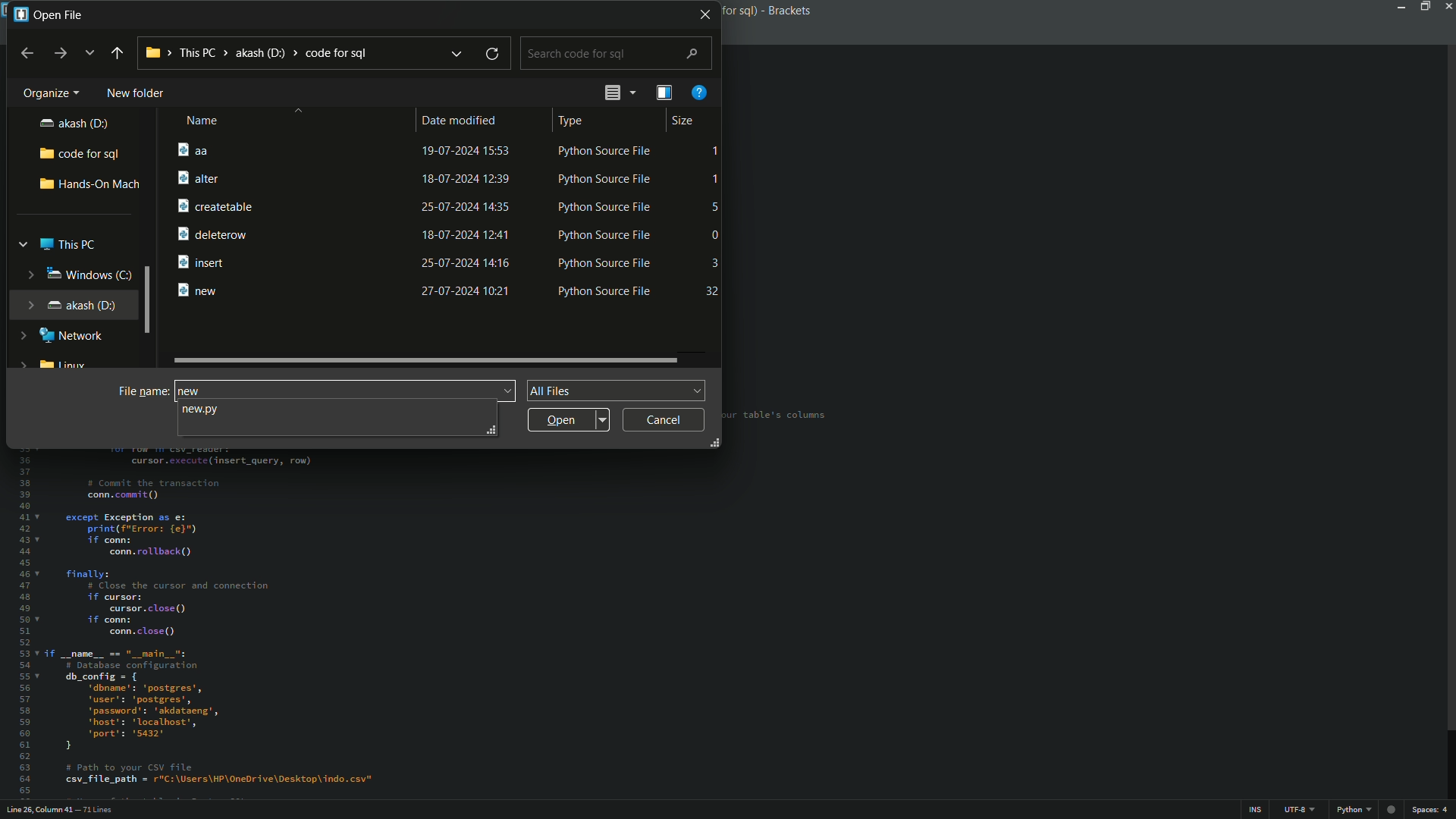 This screenshot has height=819, width=1456. What do you see at coordinates (58, 54) in the screenshot?
I see `forward` at bounding box center [58, 54].